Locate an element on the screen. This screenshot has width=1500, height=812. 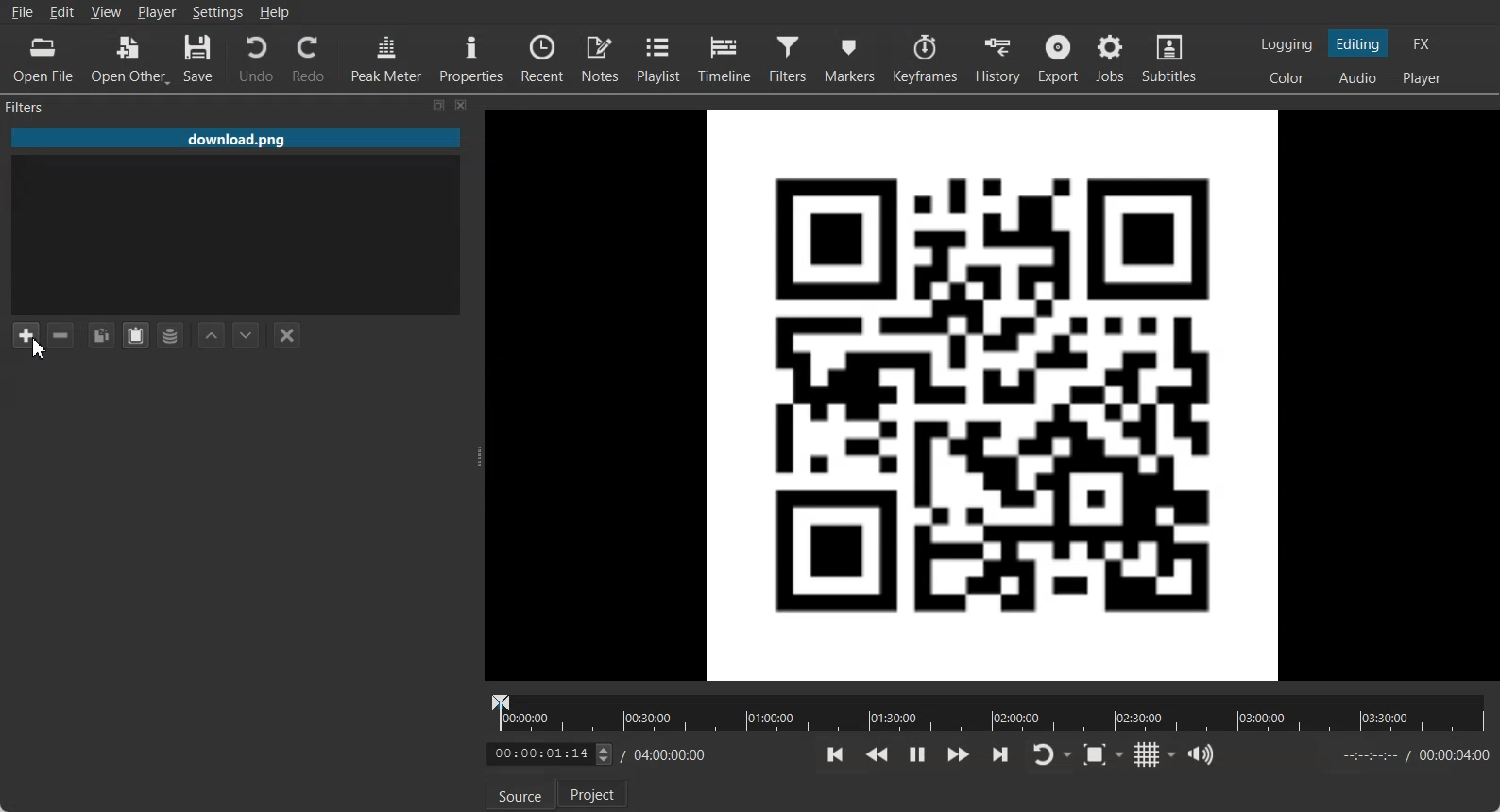
Switching to the Color layout is located at coordinates (1287, 78).